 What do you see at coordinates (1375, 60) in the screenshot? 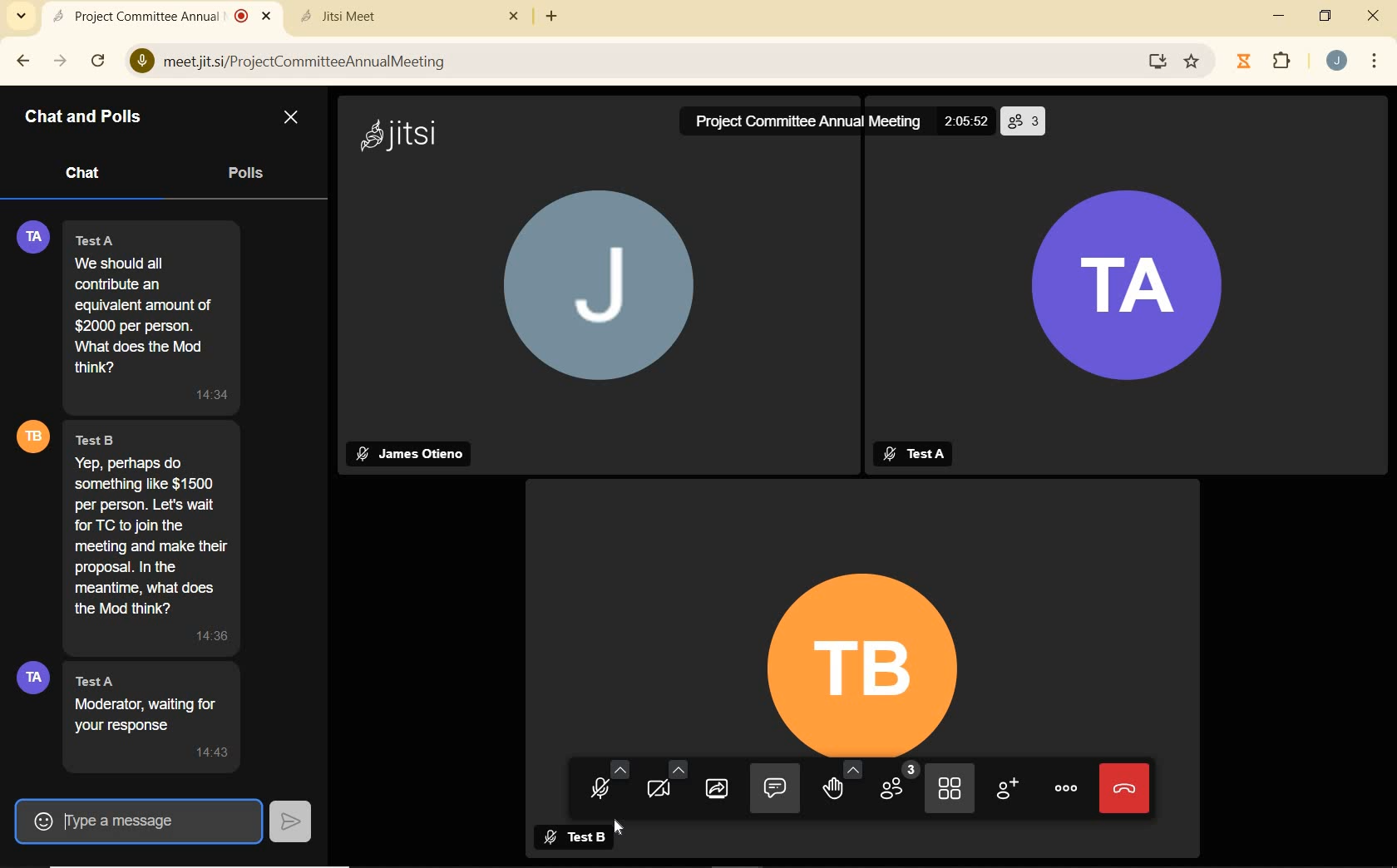
I see `customize google chrome` at bounding box center [1375, 60].